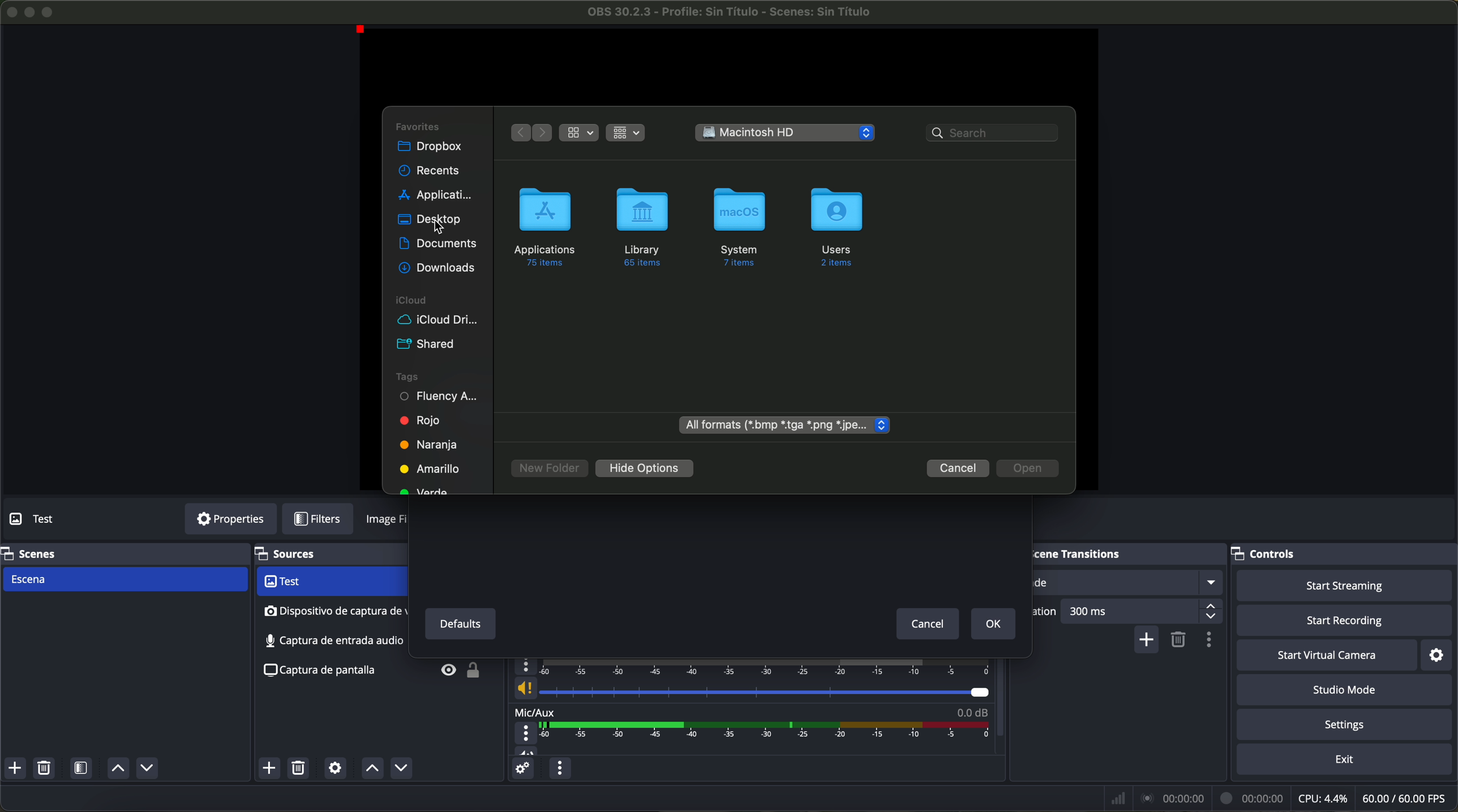 This screenshot has height=812, width=1458. I want to click on more options, so click(527, 733).